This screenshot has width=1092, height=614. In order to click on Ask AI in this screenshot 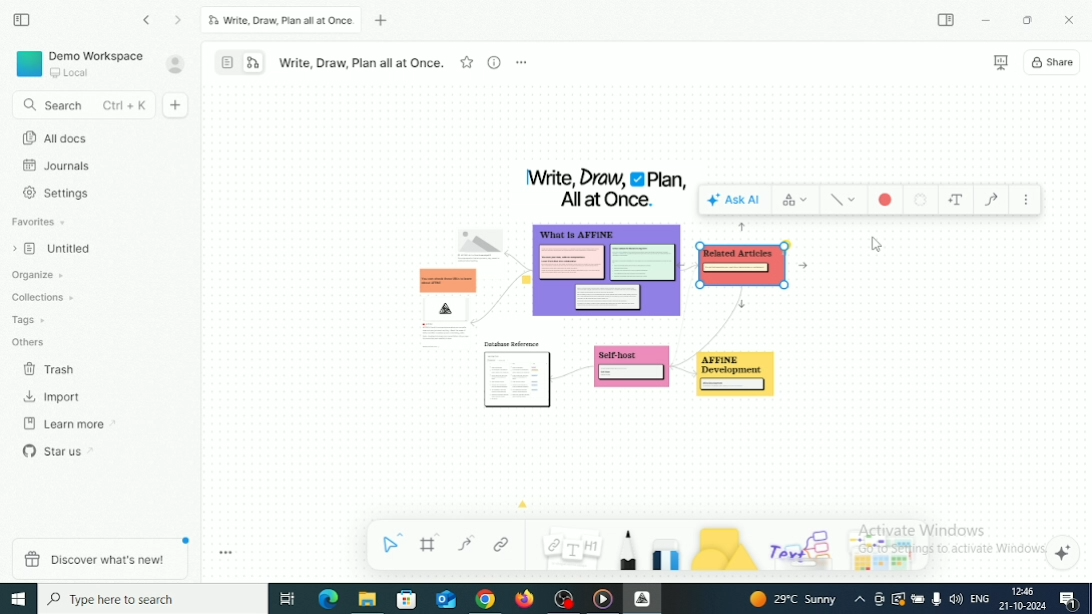, I will do `click(735, 199)`.